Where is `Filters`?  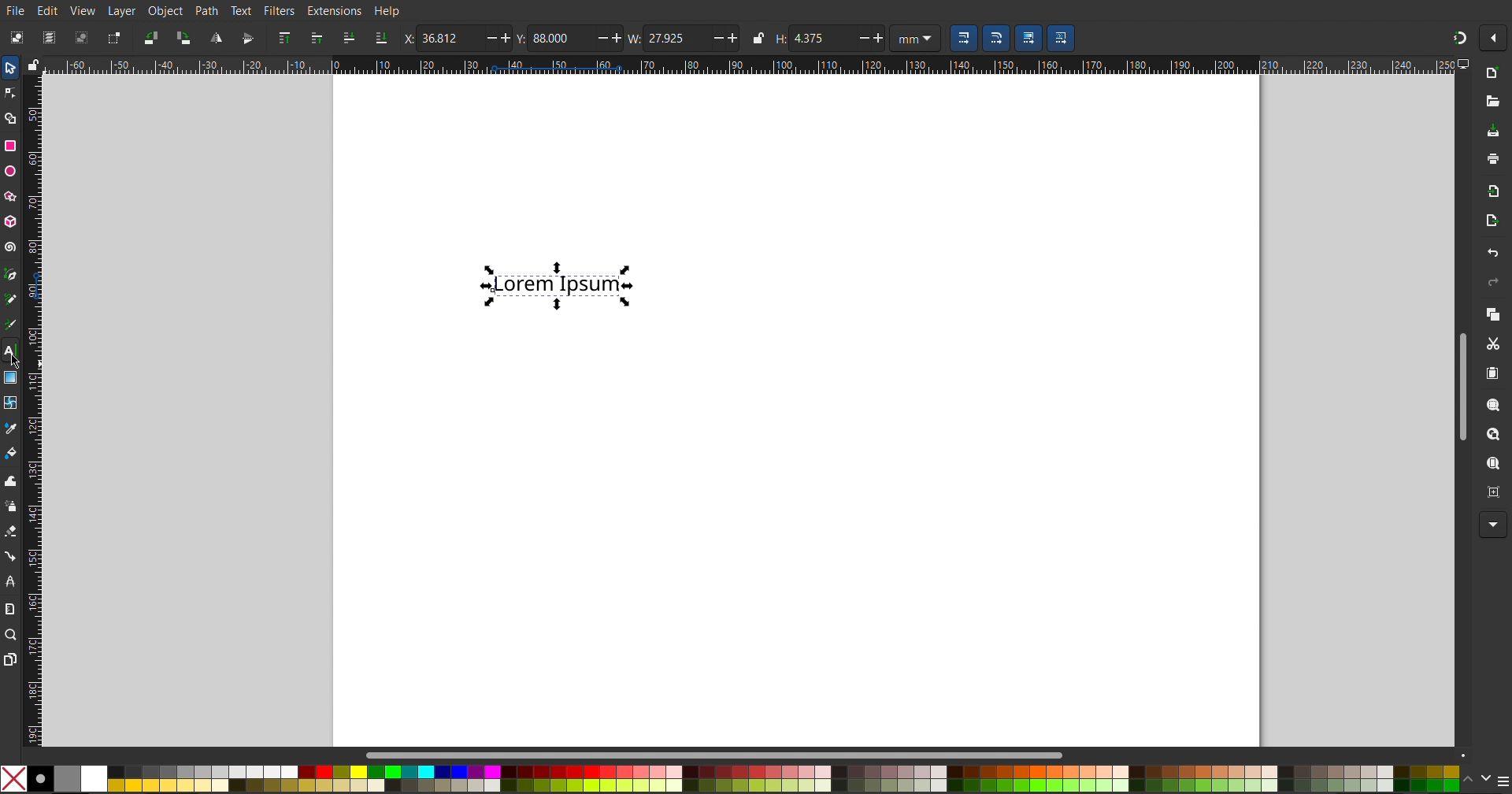 Filters is located at coordinates (281, 11).